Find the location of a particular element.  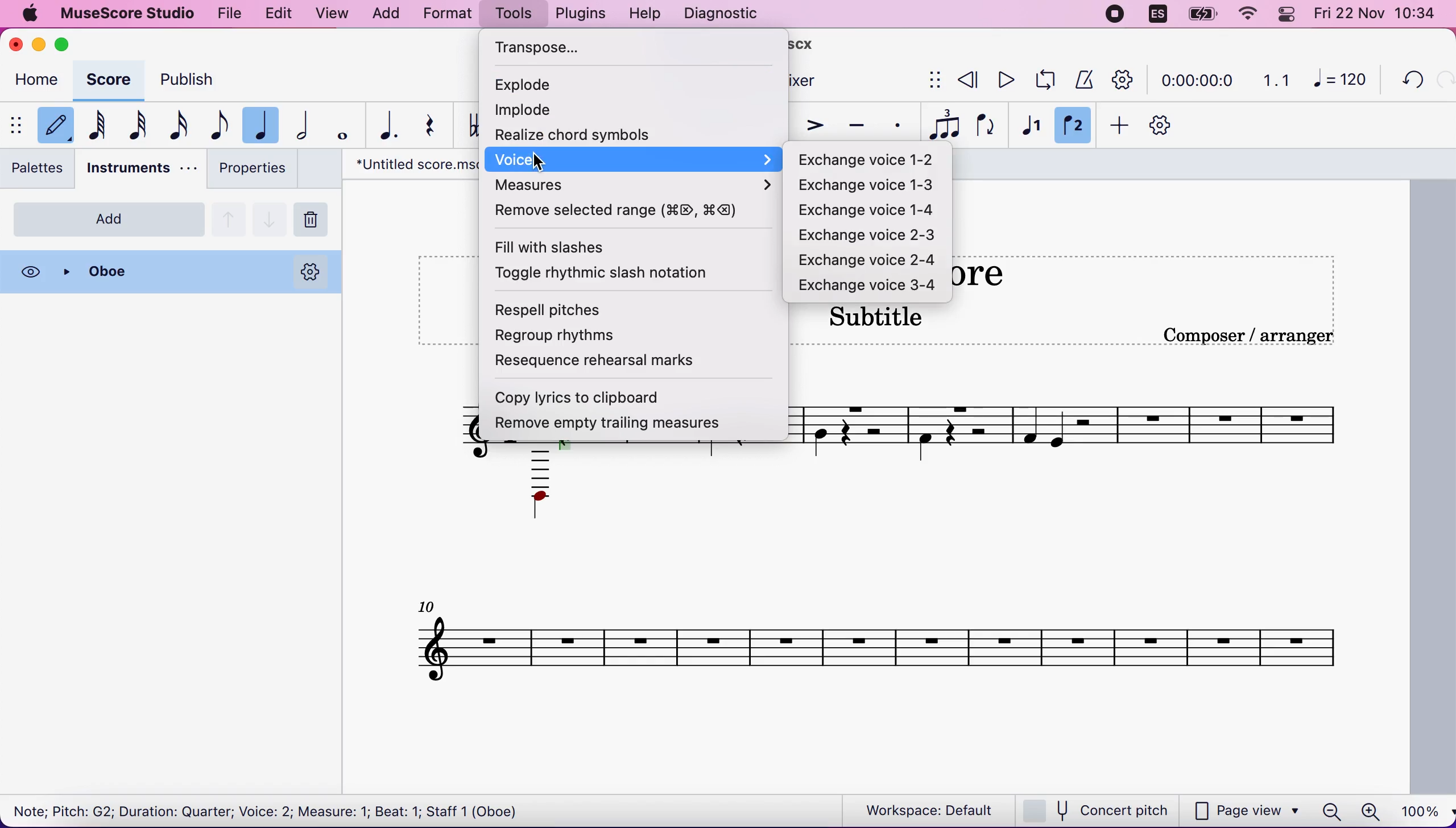

voice 2 is located at coordinates (1077, 125).